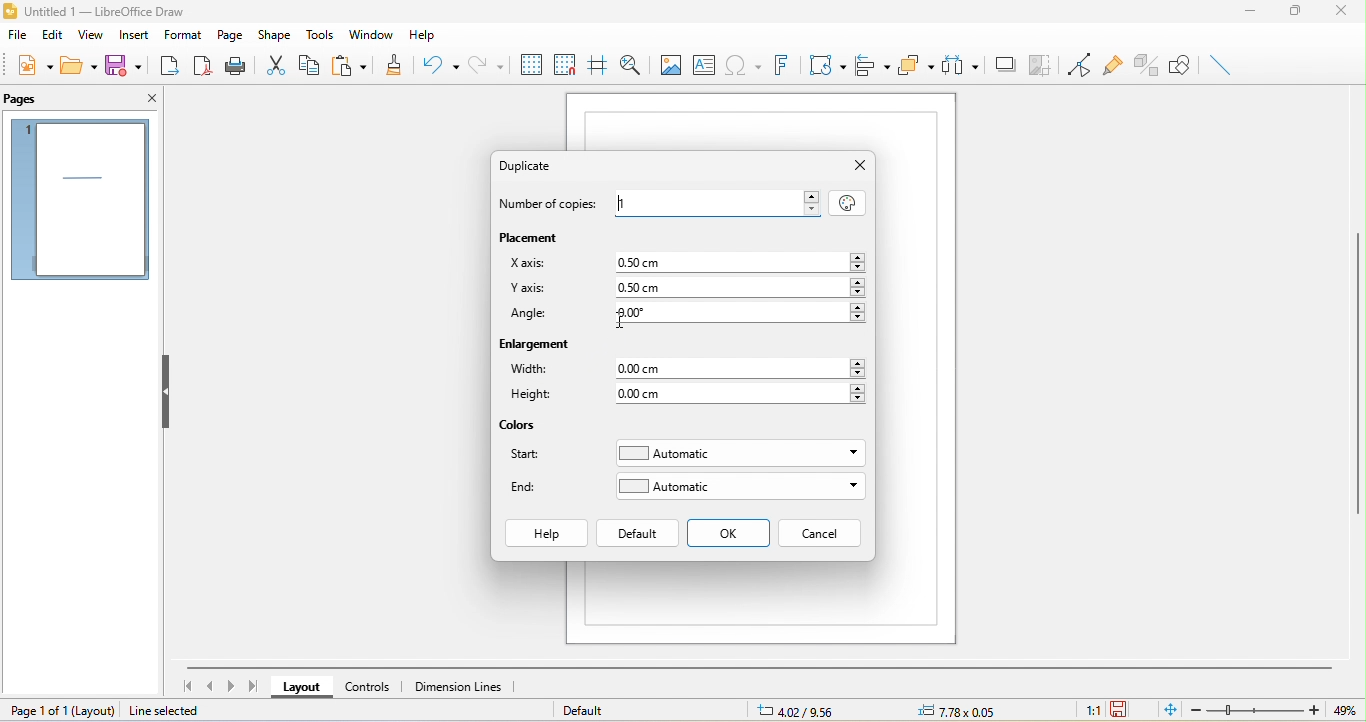 This screenshot has width=1366, height=722. Describe the element at coordinates (1345, 13) in the screenshot. I see `close` at that location.